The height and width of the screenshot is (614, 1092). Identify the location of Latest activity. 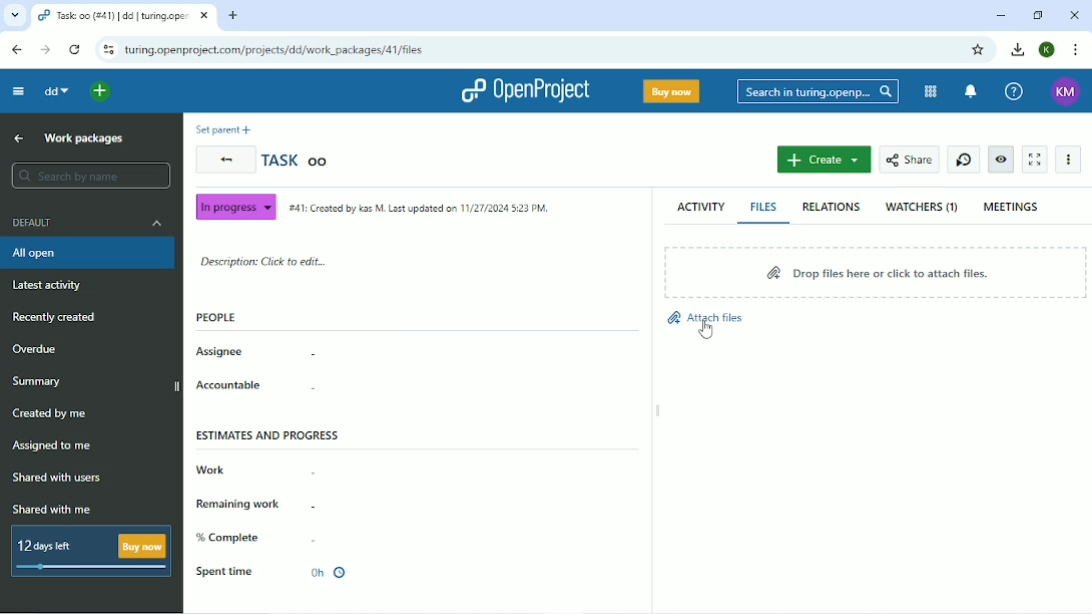
(52, 287).